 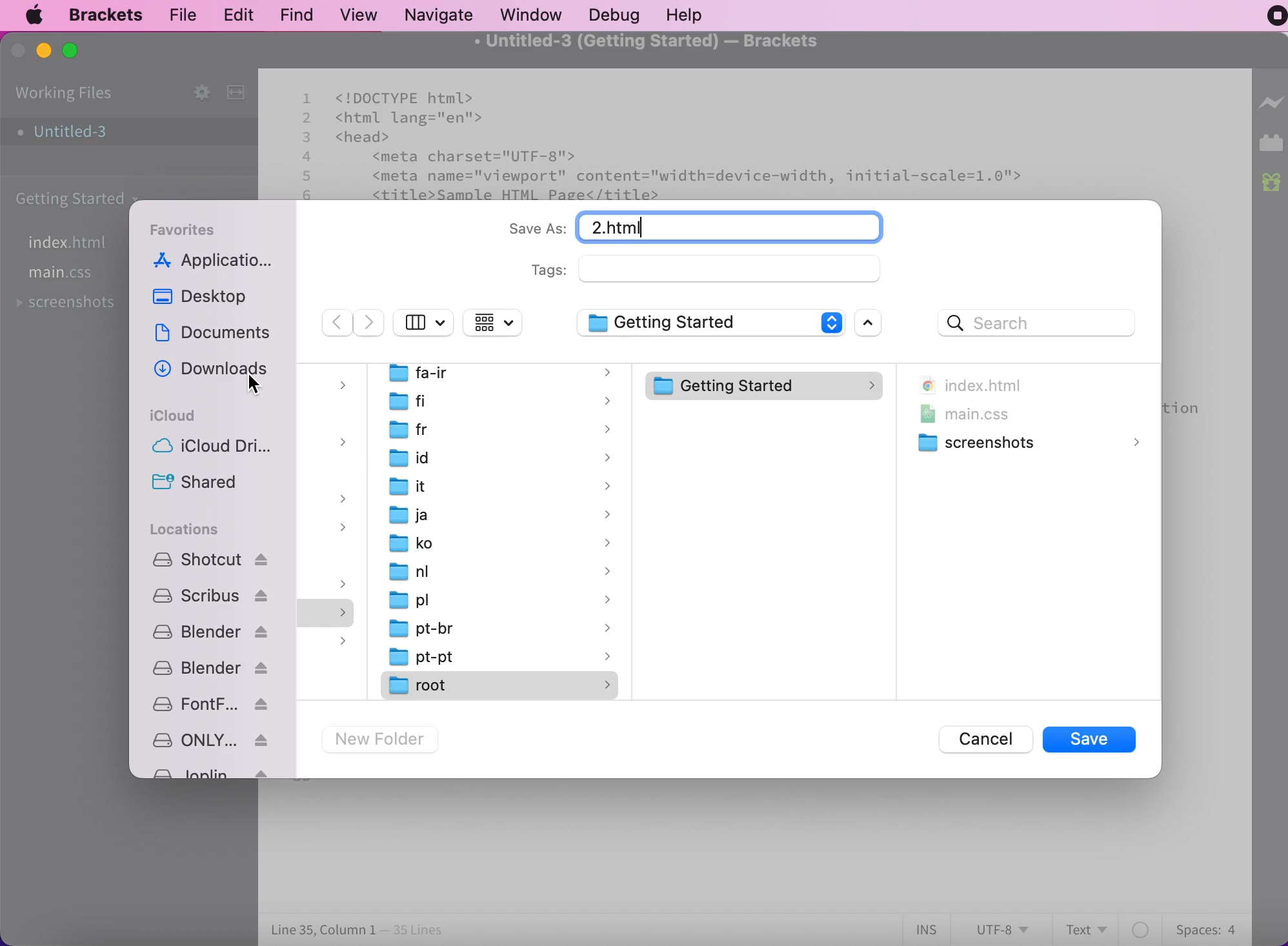 I want to click on file, so click(x=183, y=15).